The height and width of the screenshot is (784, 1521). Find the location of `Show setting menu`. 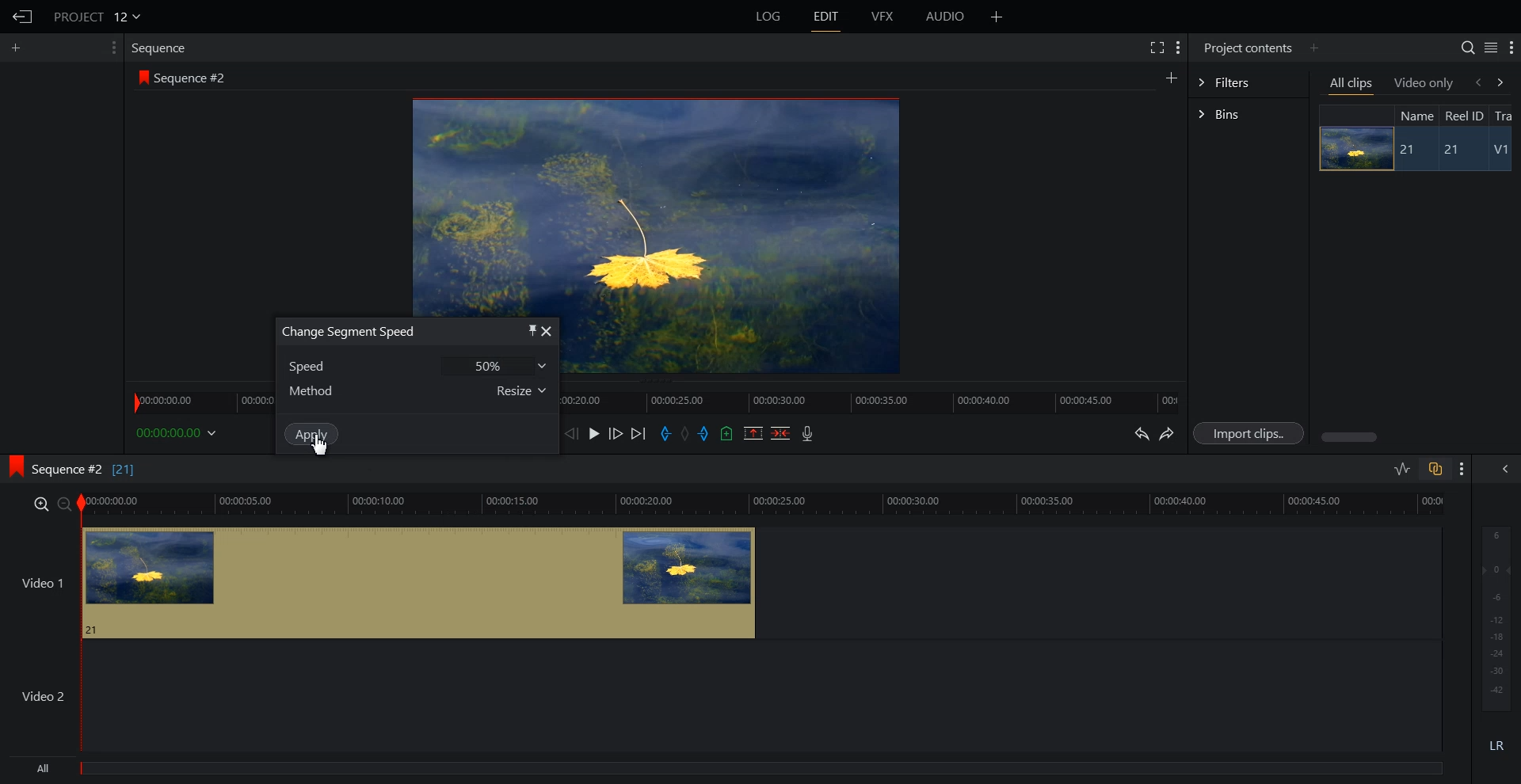

Show setting menu is located at coordinates (112, 48).